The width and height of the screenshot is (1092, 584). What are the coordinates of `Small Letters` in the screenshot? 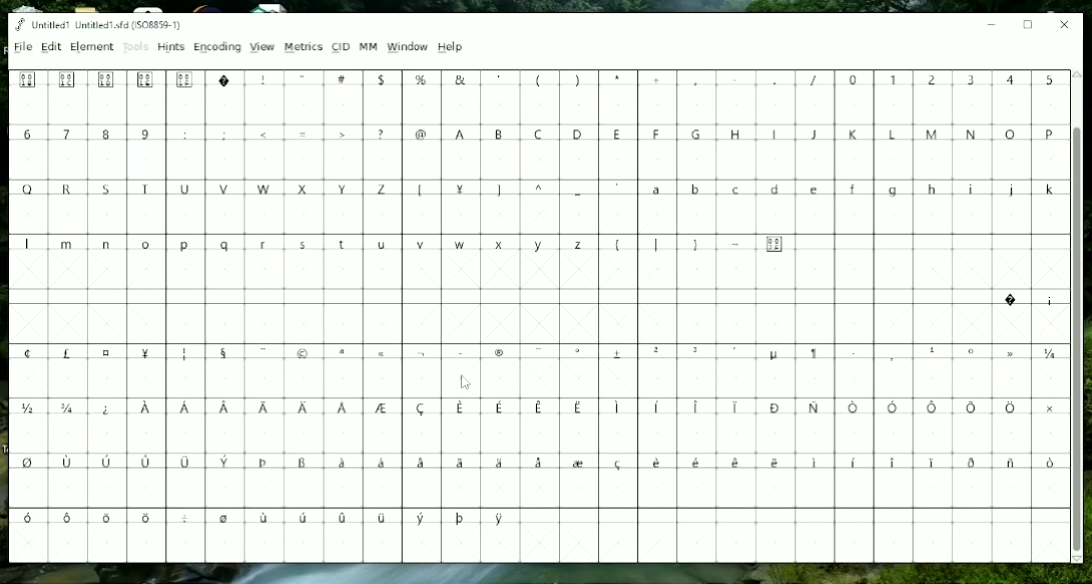 It's located at (853, 191).